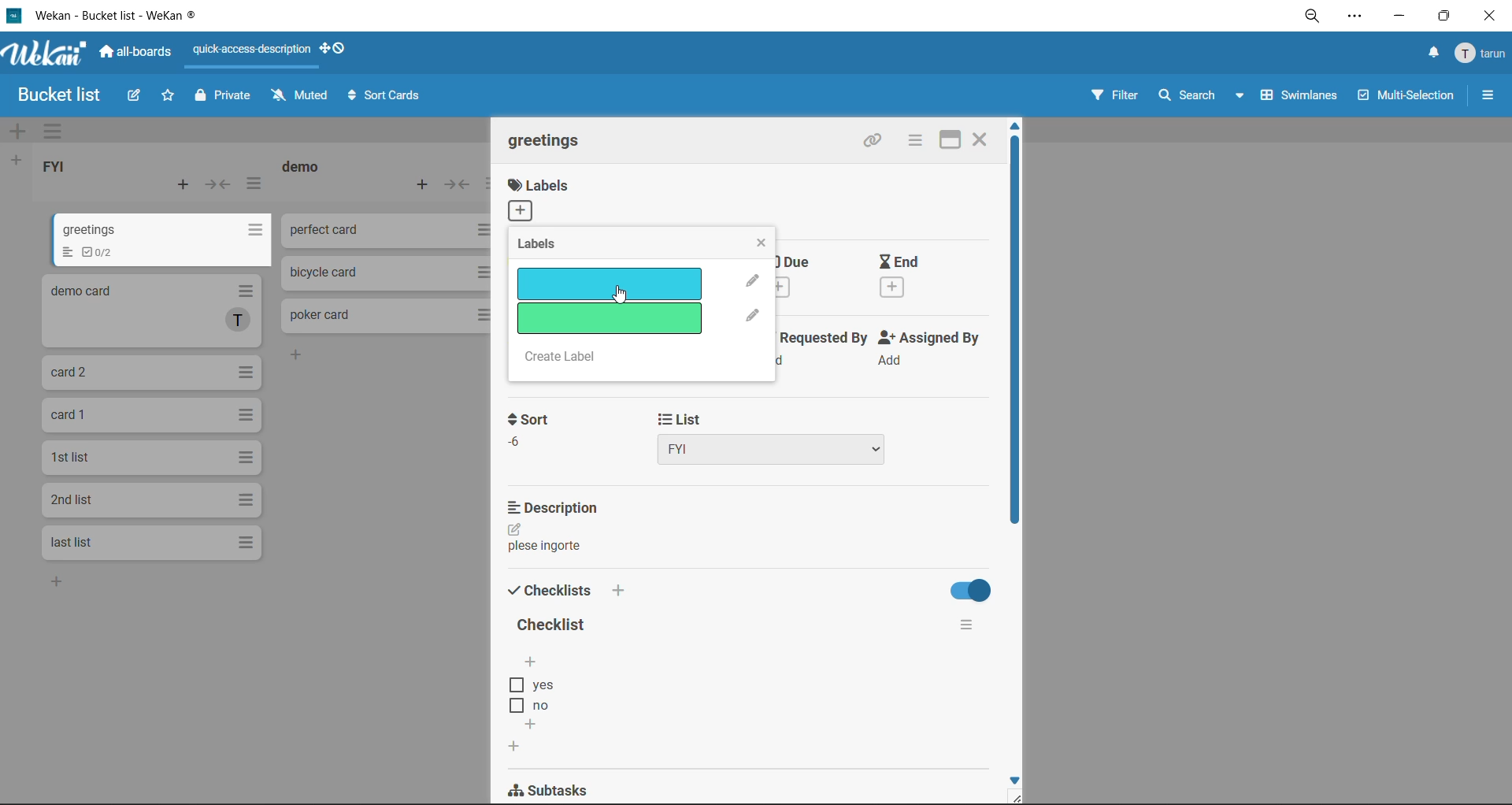 The height and width of the screenshot is (805, 1512). What do you see at coordinates (573, 358) in the screenshot?
I see `create label` at bounding box center [573, 358].